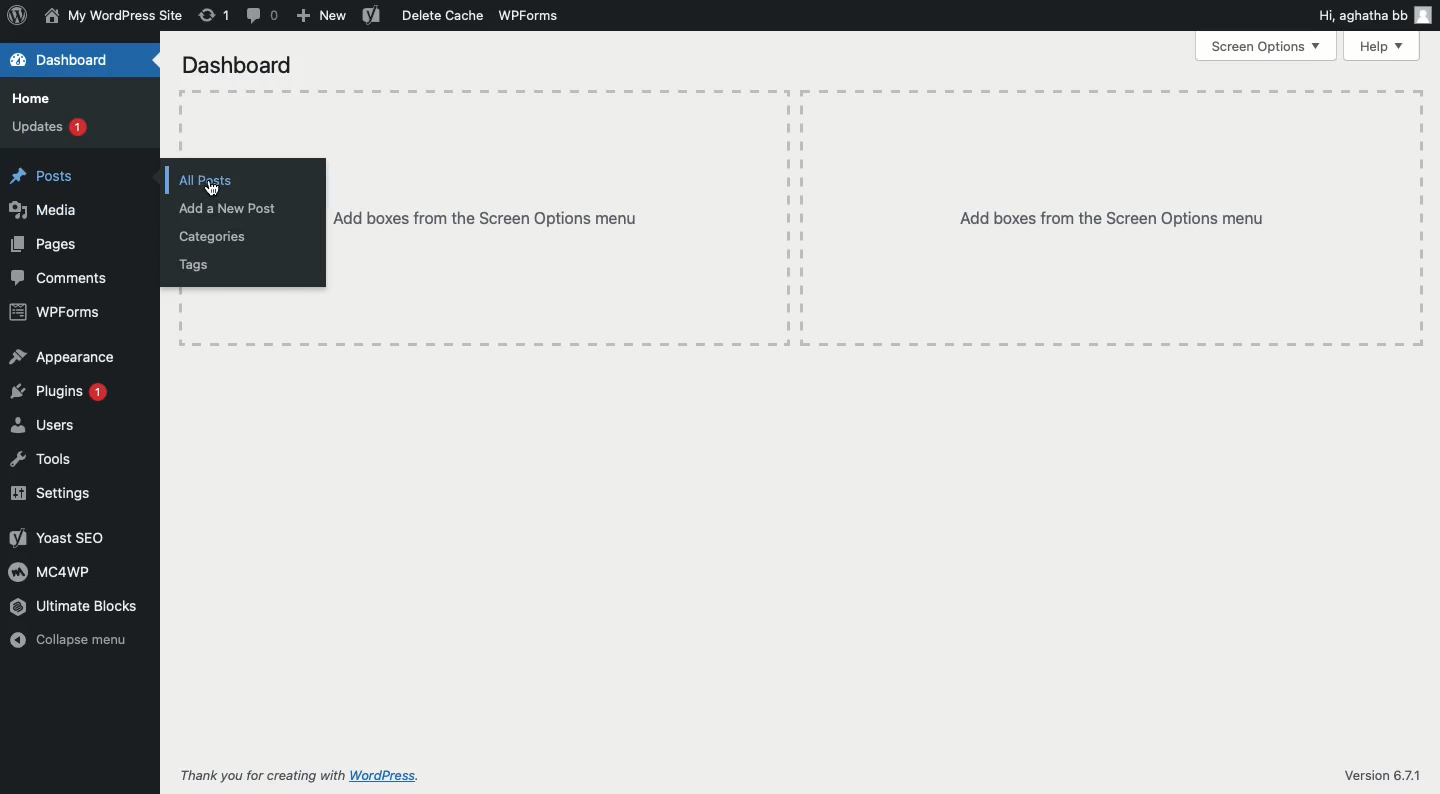 The height and width of the screenshot is (794, 1440). What do you see at coordinates (39, 97) in the screenshot?
I see `Home` at bounding box center [39, 97].